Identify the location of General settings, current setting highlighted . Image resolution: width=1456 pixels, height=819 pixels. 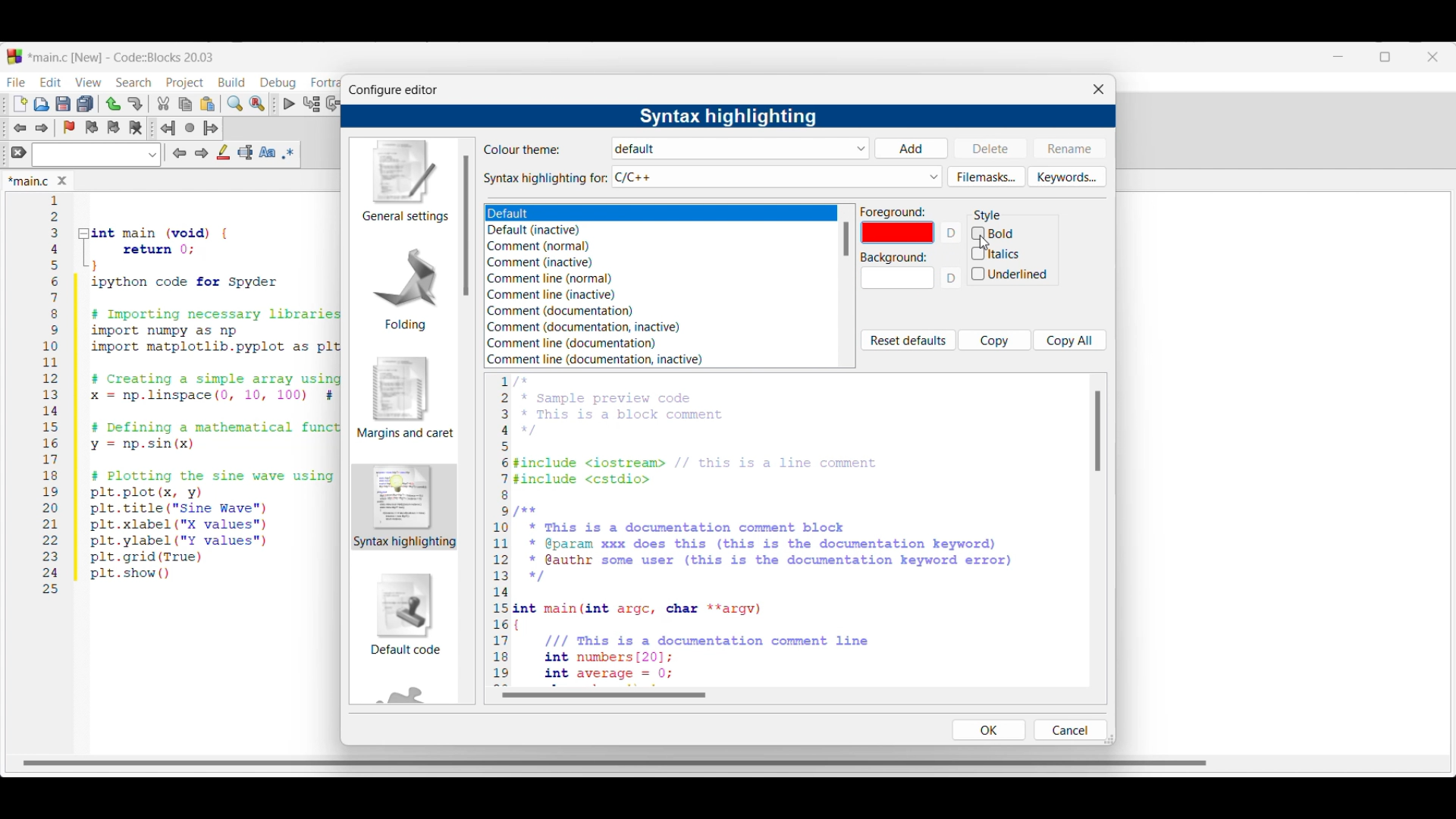
(403, 182).